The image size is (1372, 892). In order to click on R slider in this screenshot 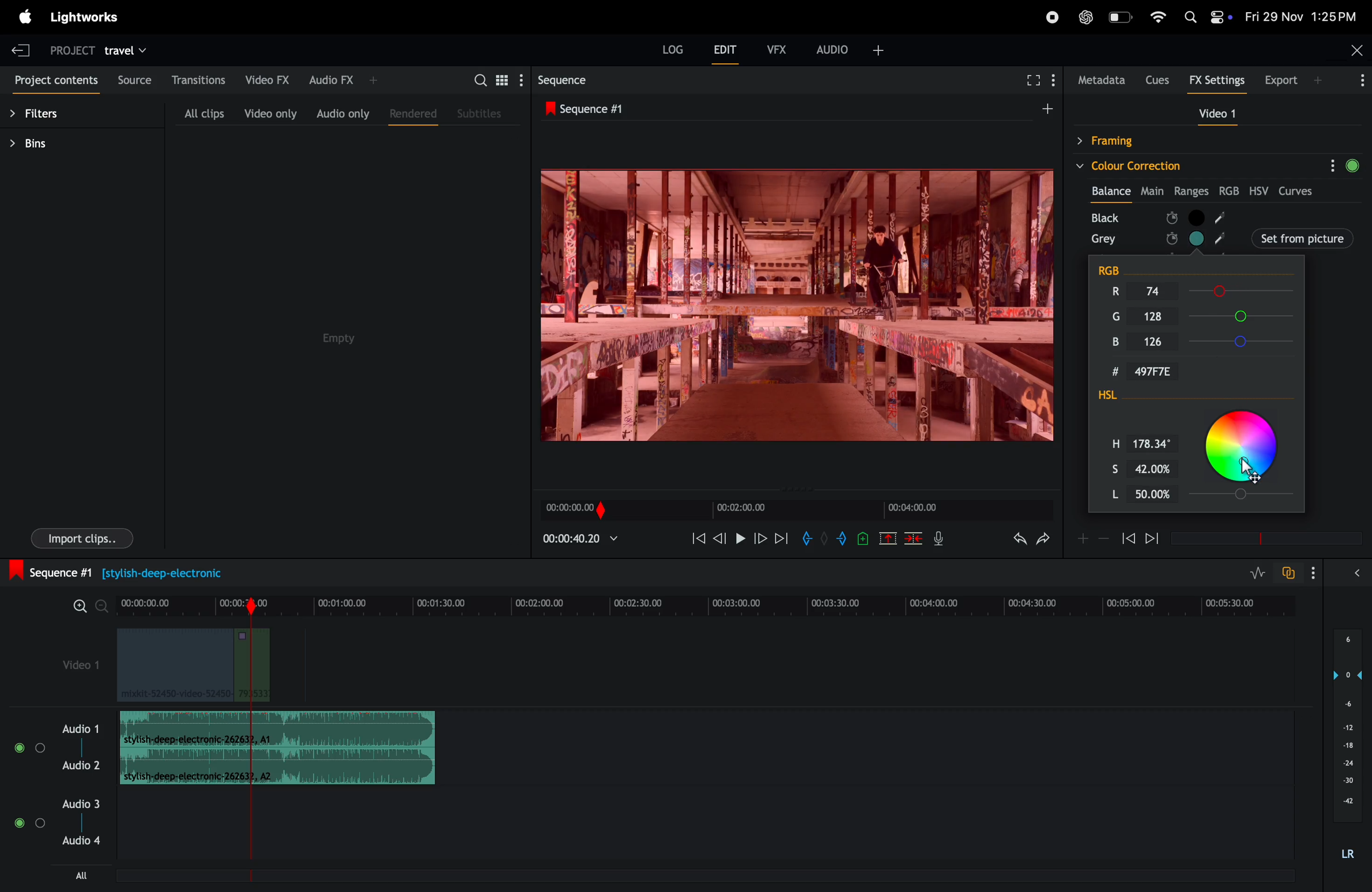, I will do `click(1243, 292)`.